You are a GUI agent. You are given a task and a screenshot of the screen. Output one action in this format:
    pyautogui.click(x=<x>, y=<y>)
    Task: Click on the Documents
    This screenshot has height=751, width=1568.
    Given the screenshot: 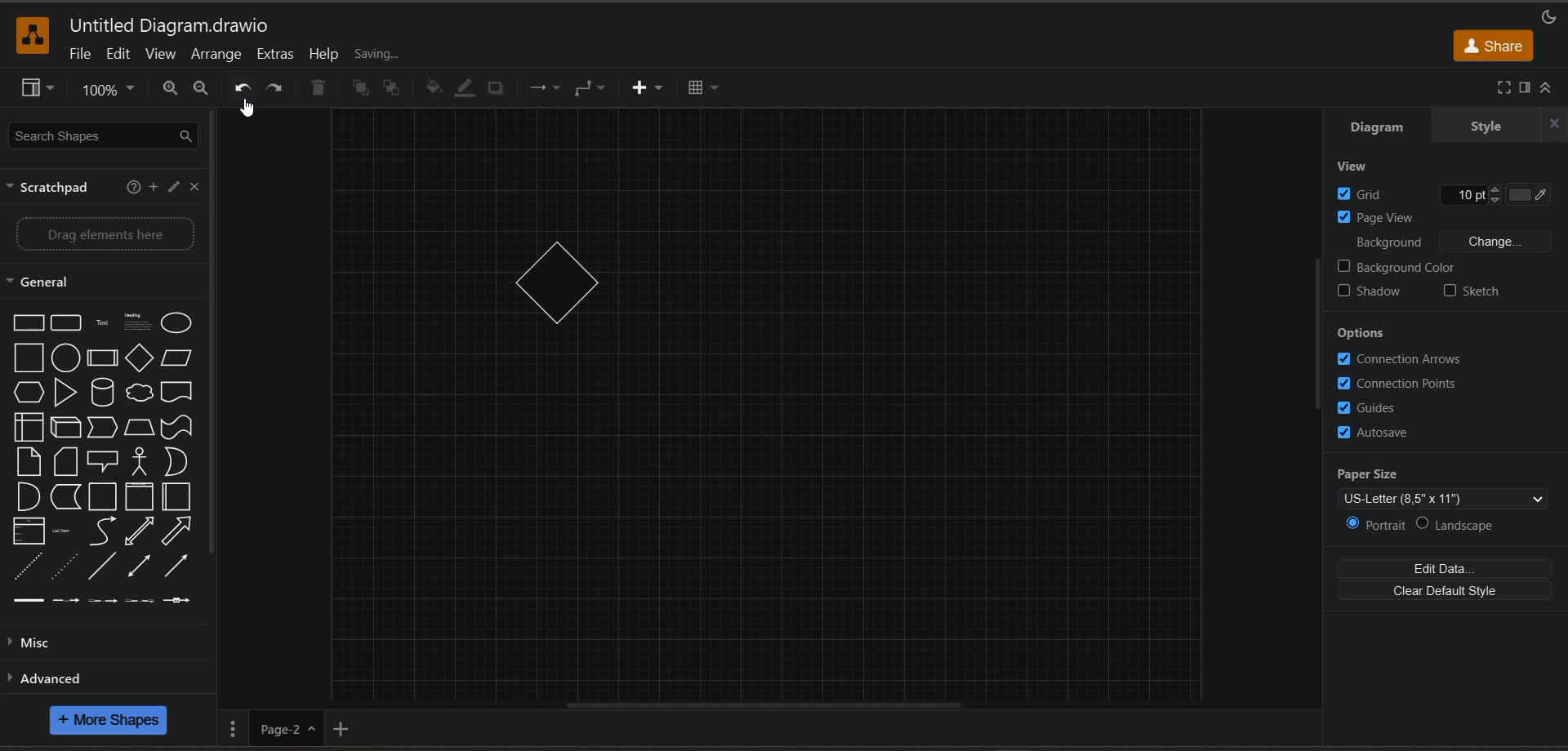 What is the action you would take?
    pyautogui.click(x=177, y=392)
    